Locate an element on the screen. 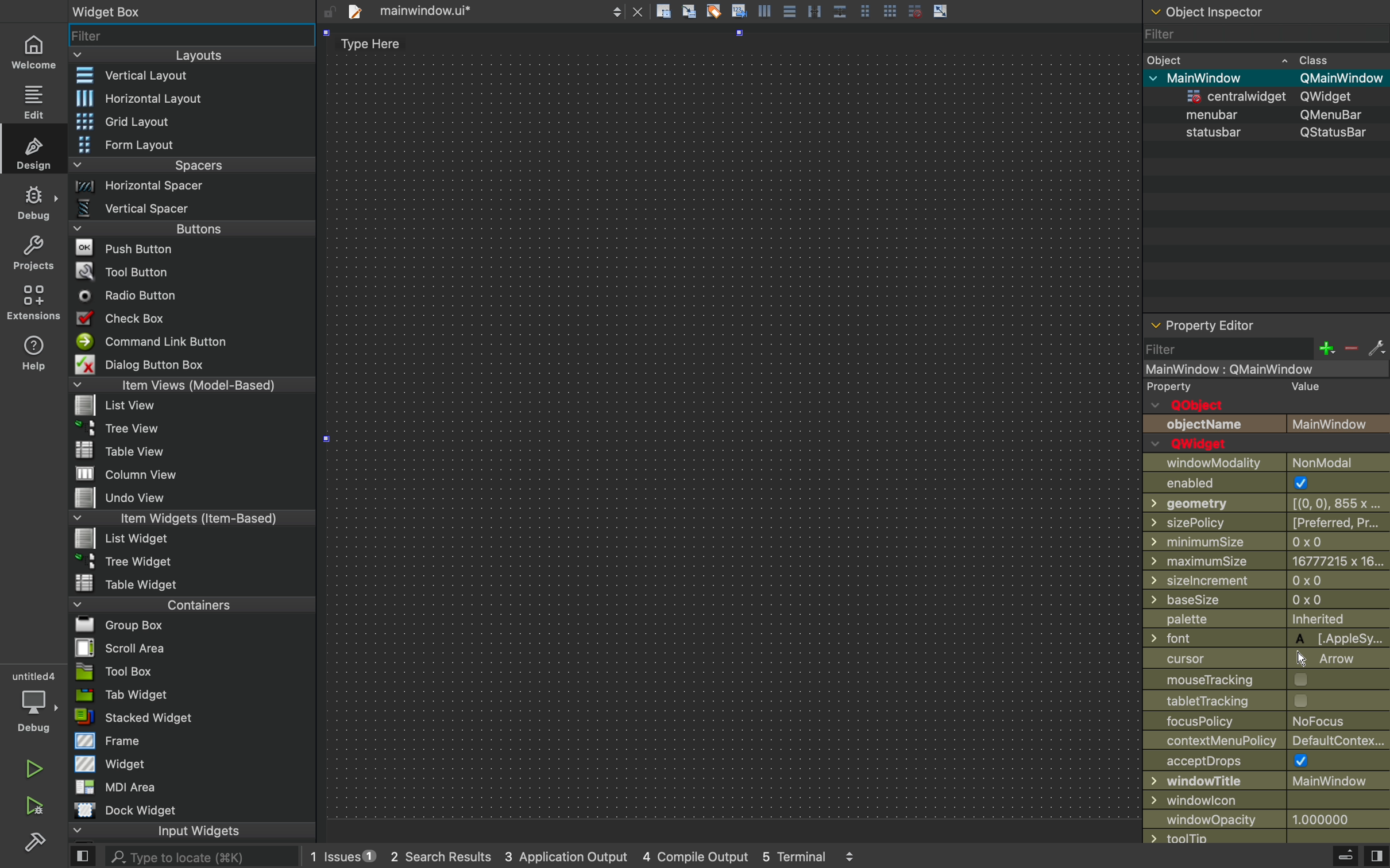  object section is located at coordinates (1263, 13).